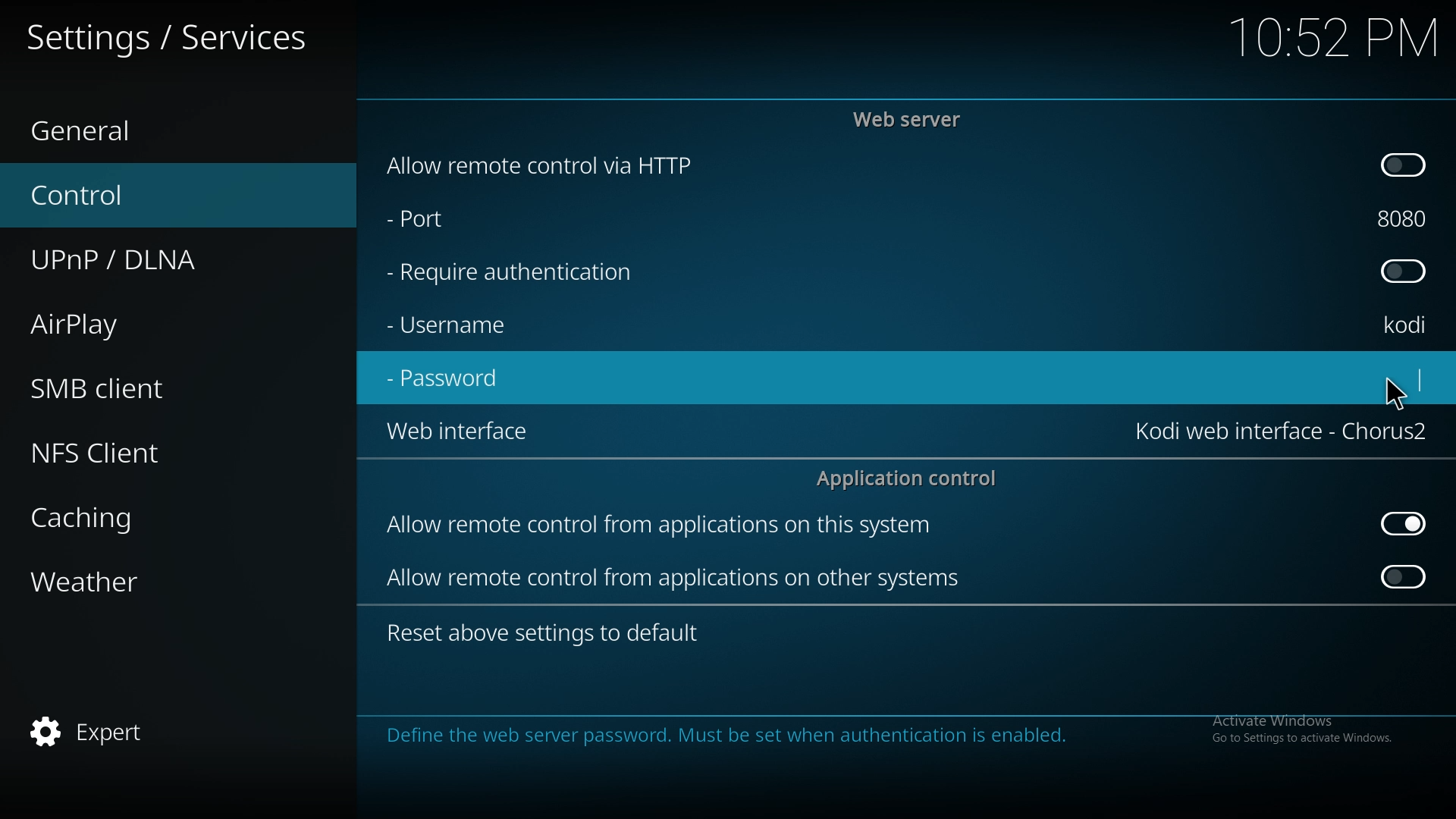 The image size is (1456, 819). What do you see at coordinates (1382, 380) in the screenshot?
I see `password input` at bounding box center [1382, 380].